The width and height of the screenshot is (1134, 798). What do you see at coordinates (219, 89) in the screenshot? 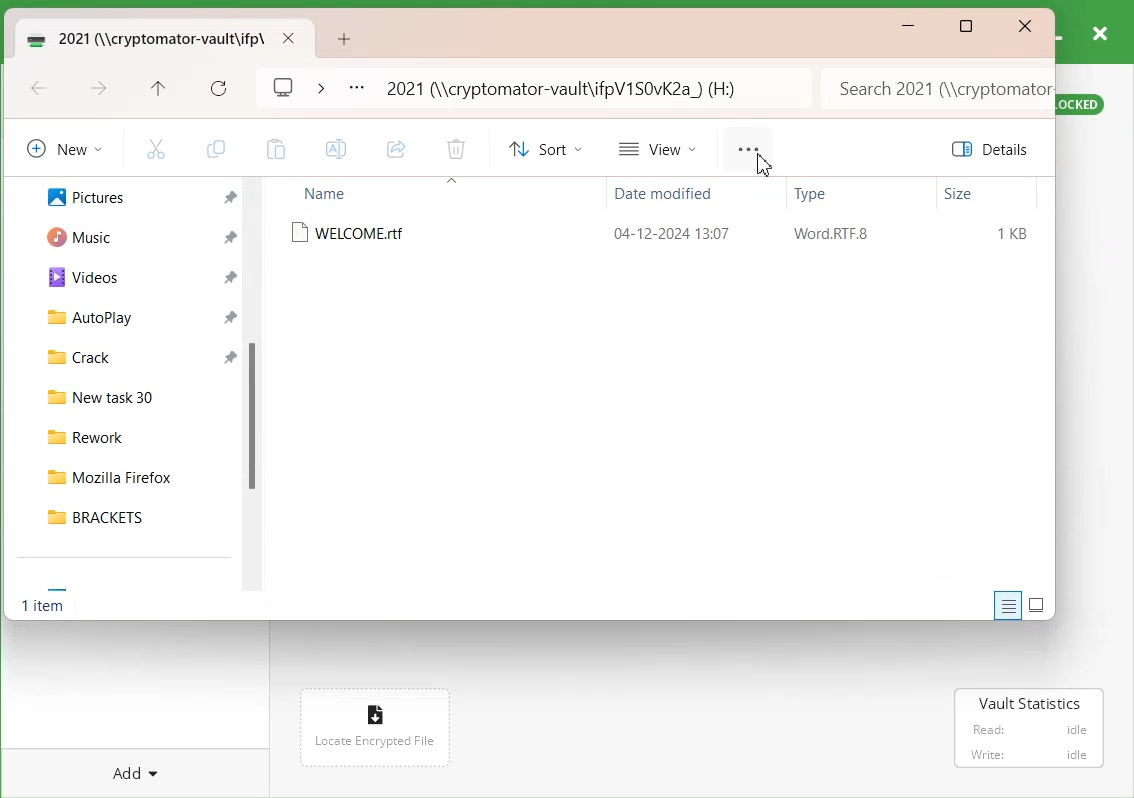
I see `Refresh` at bounding box center [219, 89].